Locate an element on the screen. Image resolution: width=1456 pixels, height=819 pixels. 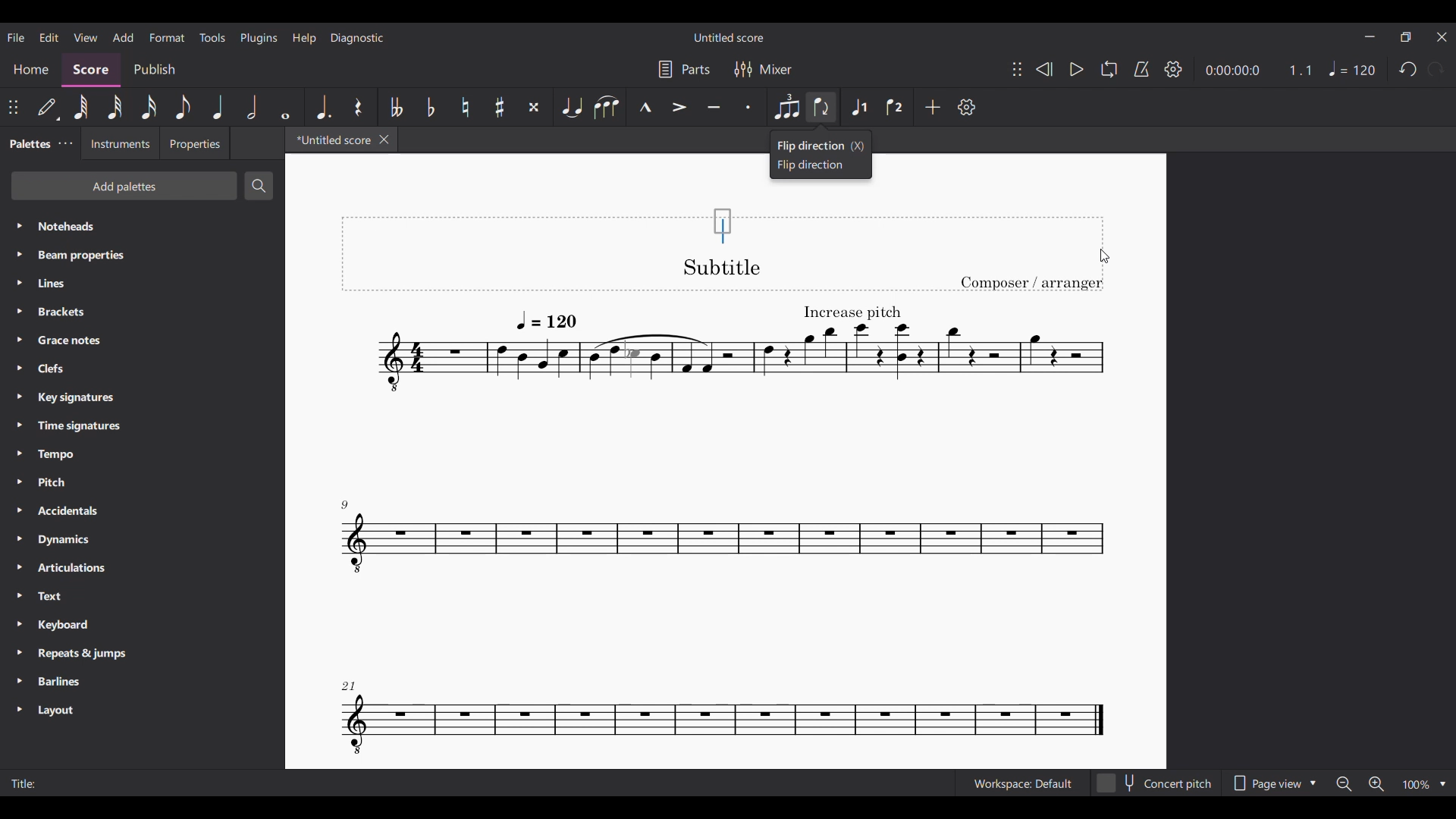
Flip direction (X) Flip direction is located at coordinates (821, 154).